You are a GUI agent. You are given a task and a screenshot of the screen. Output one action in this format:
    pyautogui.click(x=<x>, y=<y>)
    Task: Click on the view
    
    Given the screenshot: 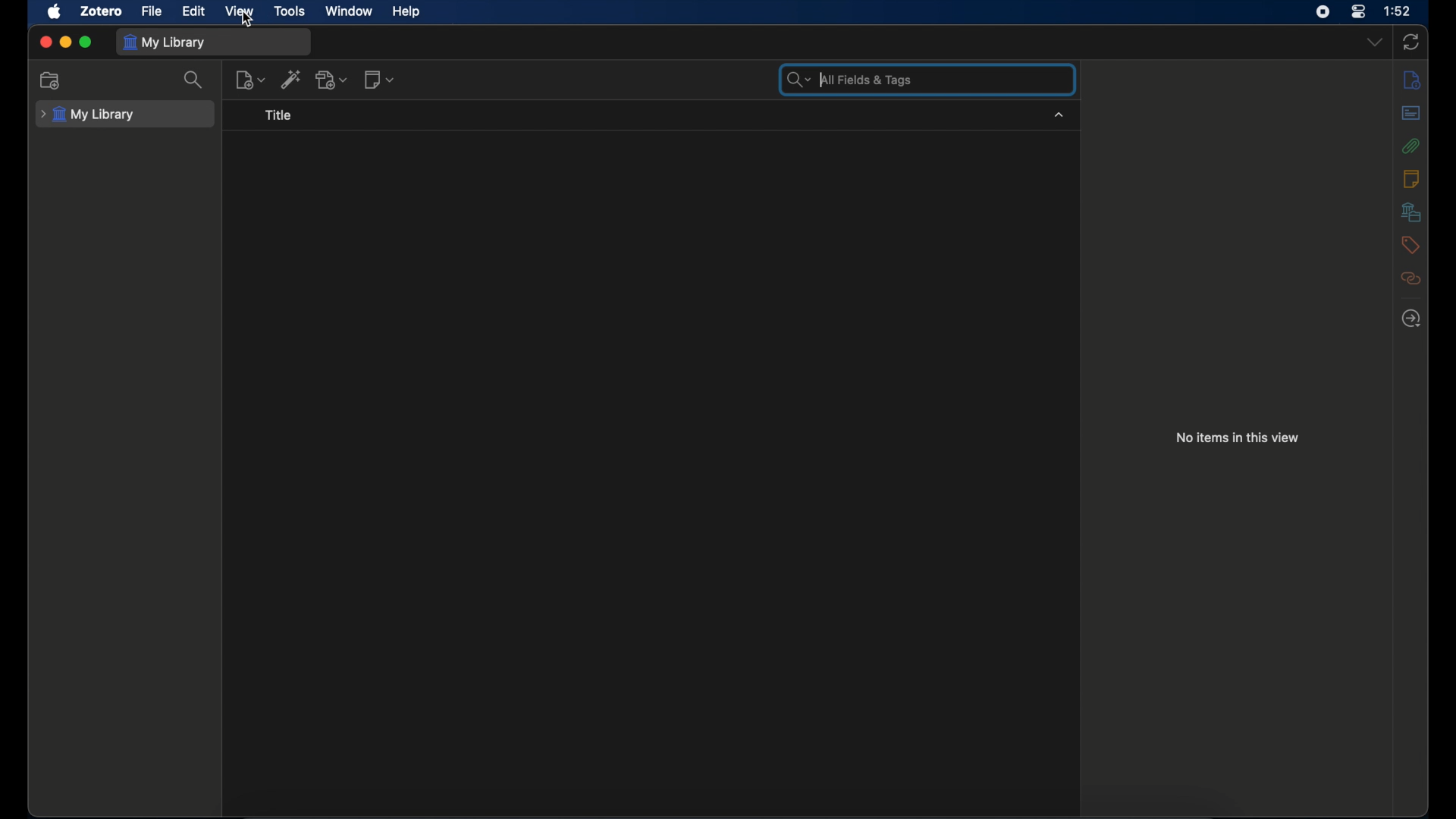 What is the action you would take?
    pyautogui.click(x=240, y=12)
    